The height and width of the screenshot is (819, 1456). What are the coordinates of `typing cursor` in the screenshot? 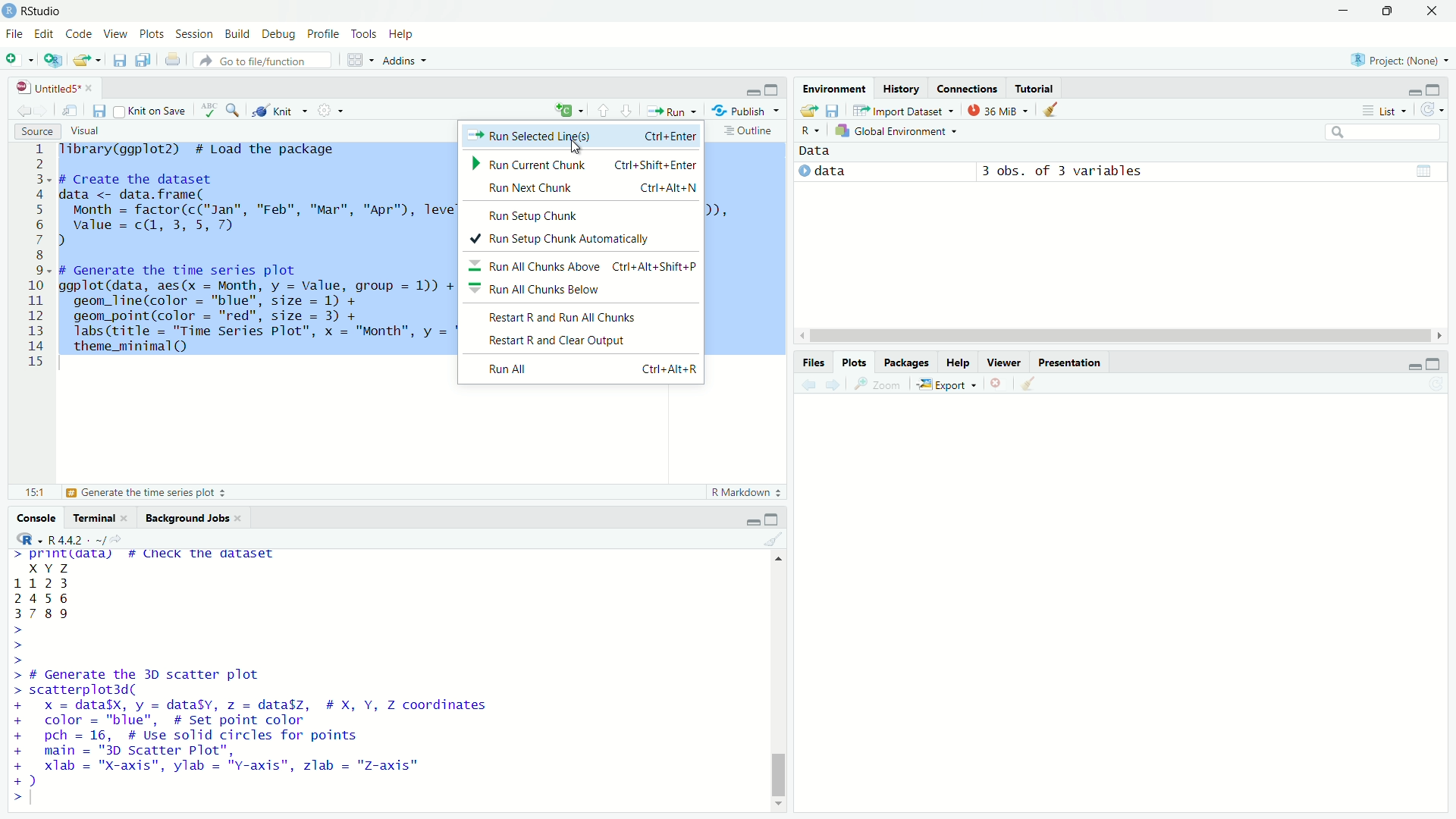 It's located at (70, 366).